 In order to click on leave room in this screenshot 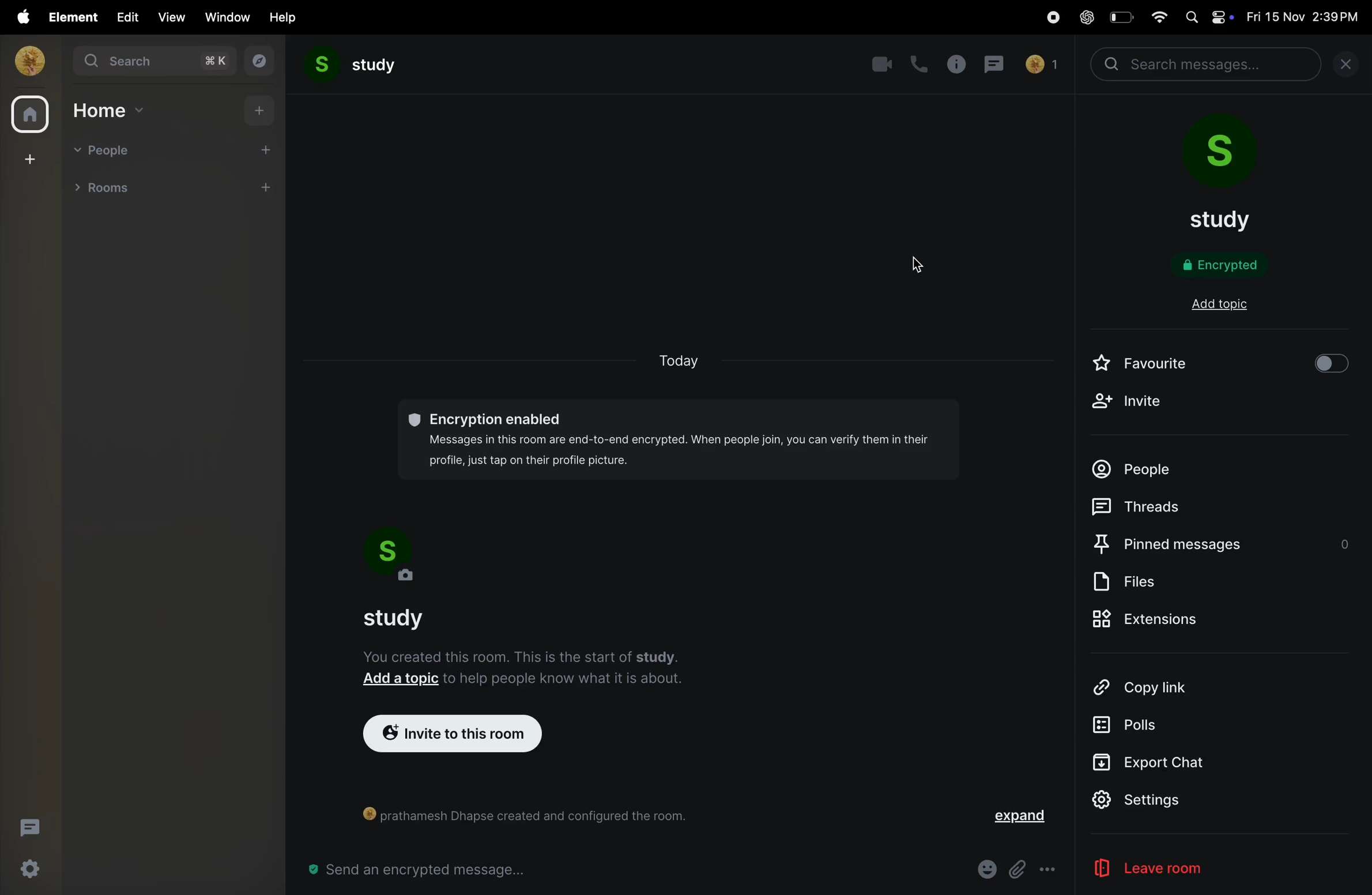, I will do `click(1132, 869)`.